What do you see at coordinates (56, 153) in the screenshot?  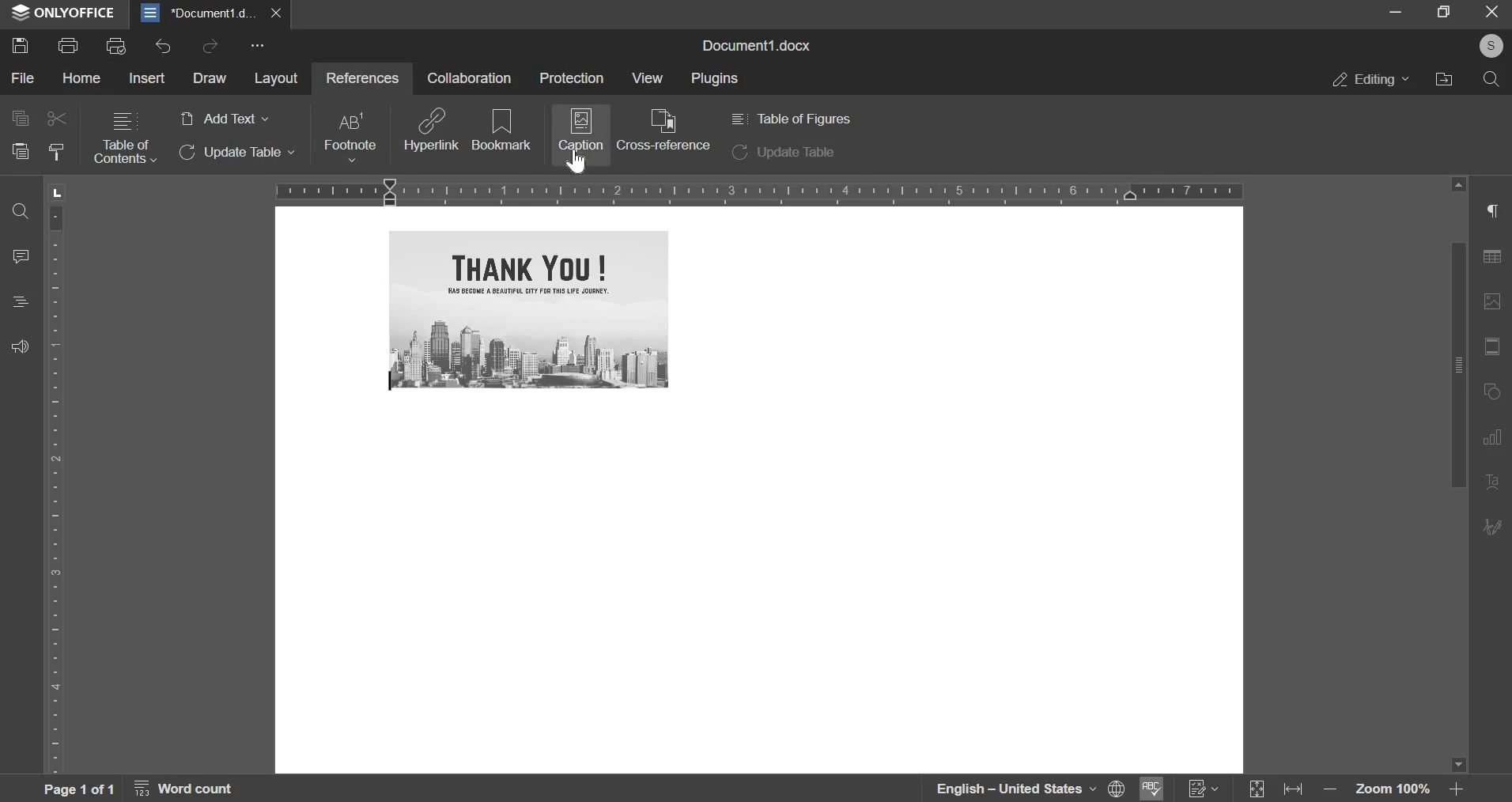 I see `clear style` at bounding box center [56, 153].